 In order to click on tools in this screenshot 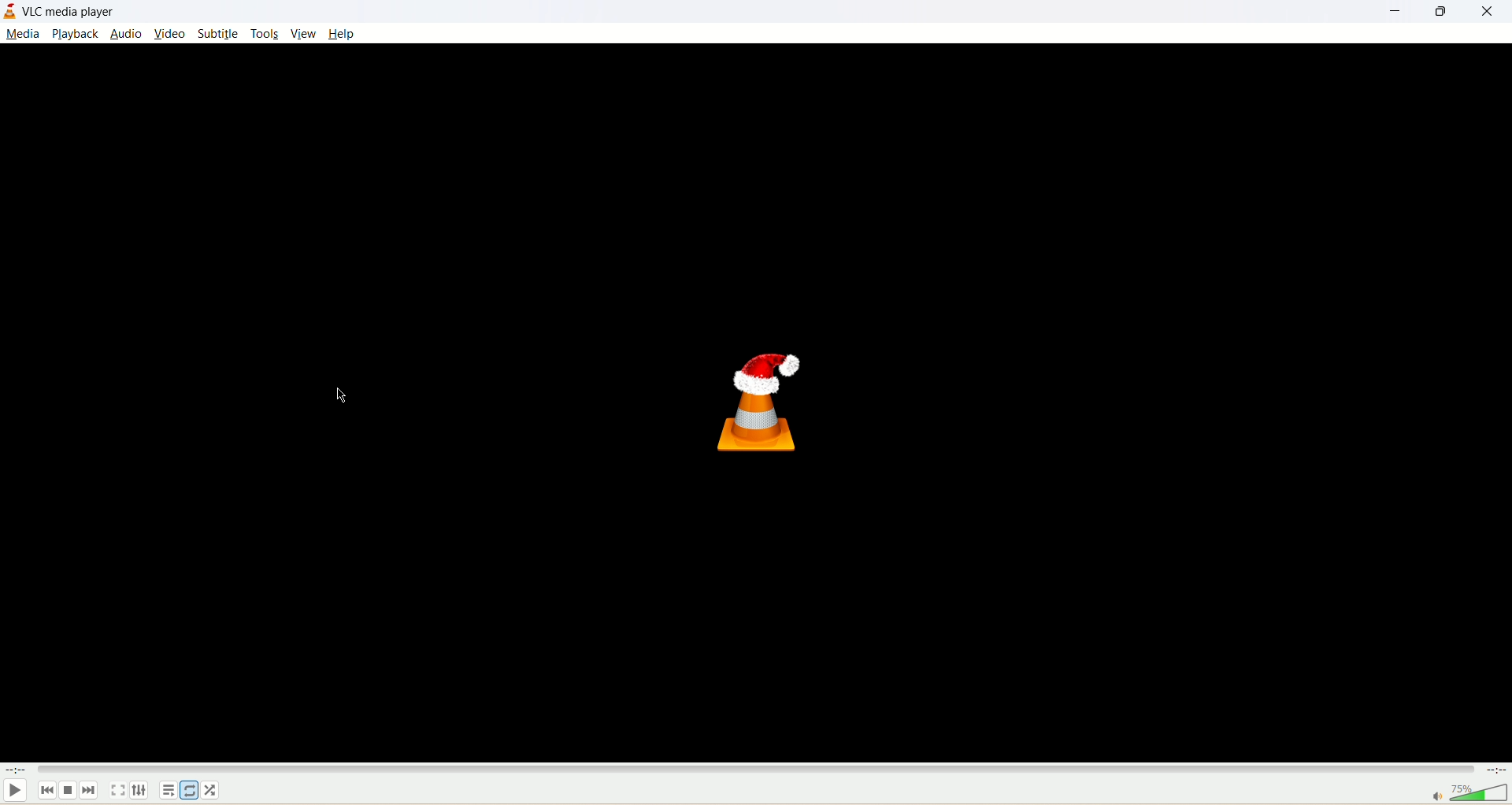, I will do `click(265, 34)`.